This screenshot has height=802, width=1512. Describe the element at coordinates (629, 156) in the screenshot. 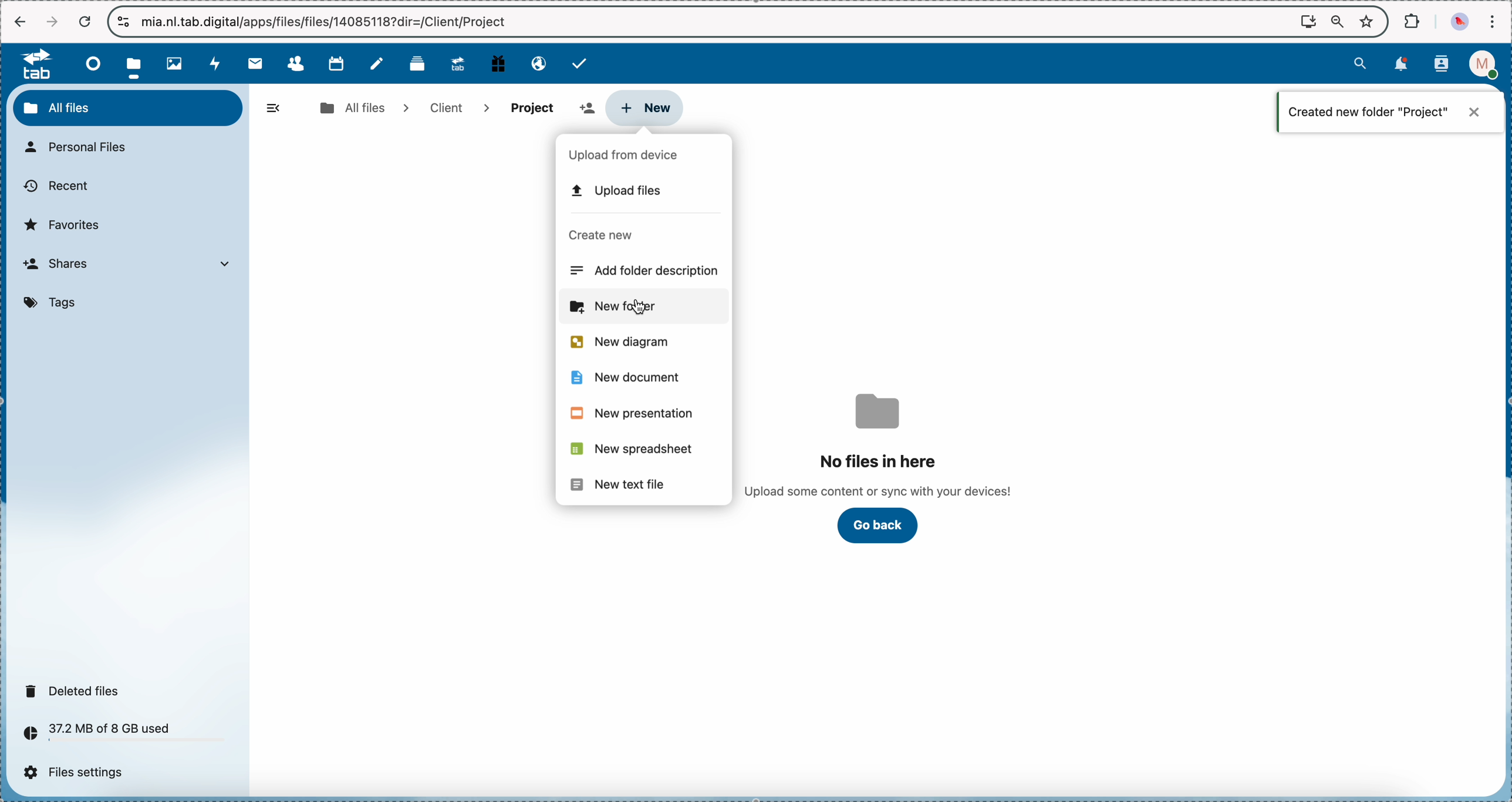

I see `upload from device` at that location.